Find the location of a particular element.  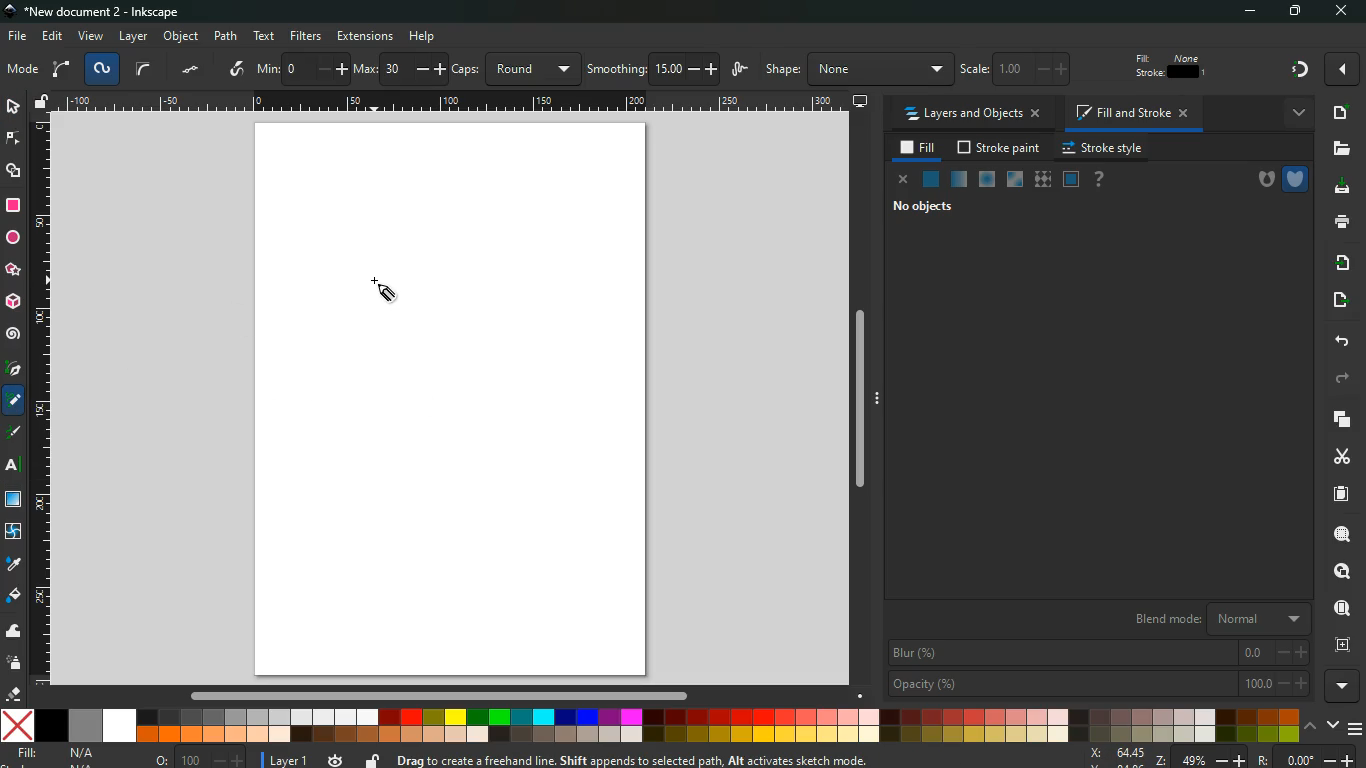

time is located at coordinates (337, 760).